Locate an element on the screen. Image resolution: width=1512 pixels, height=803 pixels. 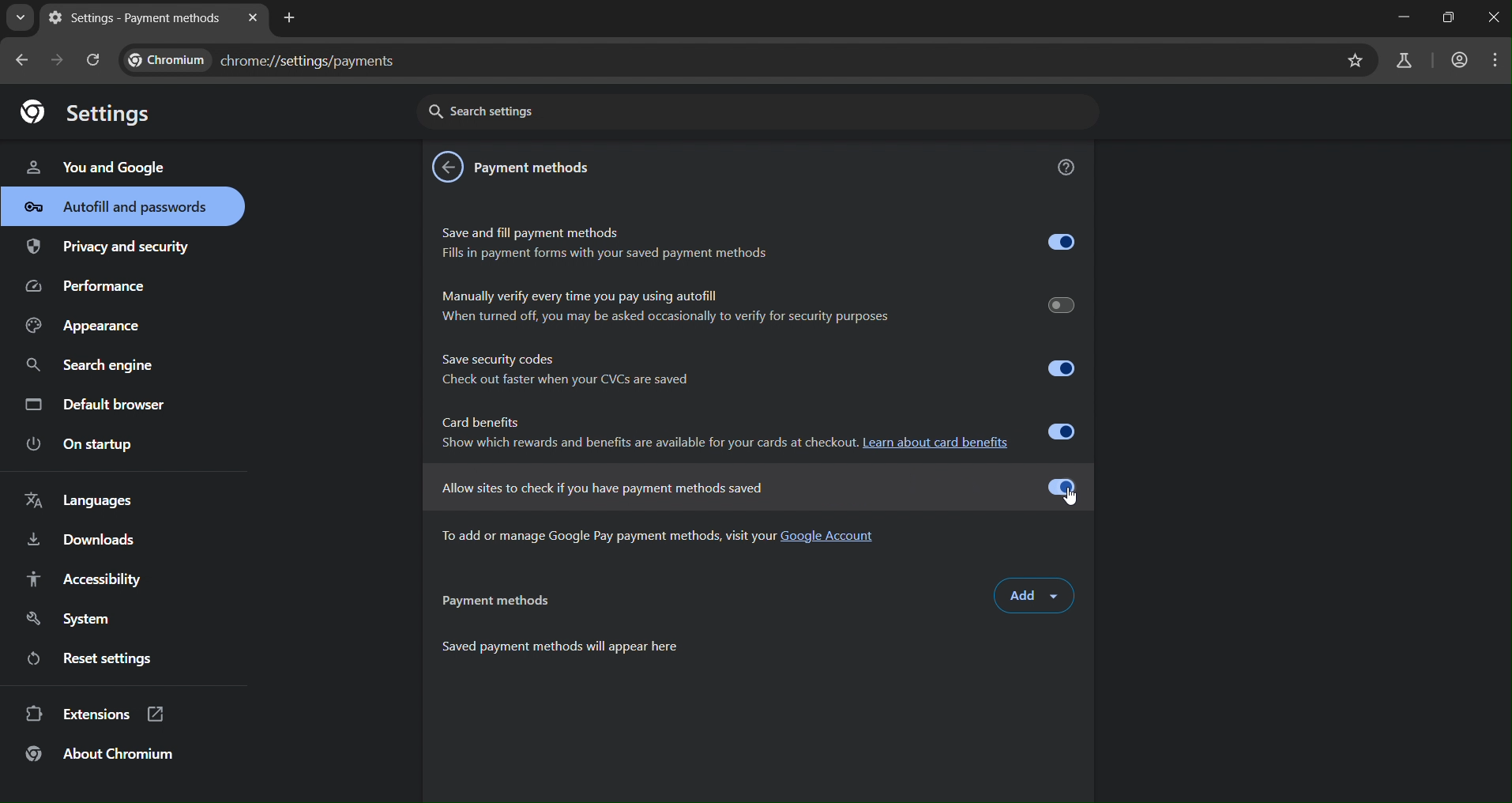
close tab is located at coordinates (254, 17).